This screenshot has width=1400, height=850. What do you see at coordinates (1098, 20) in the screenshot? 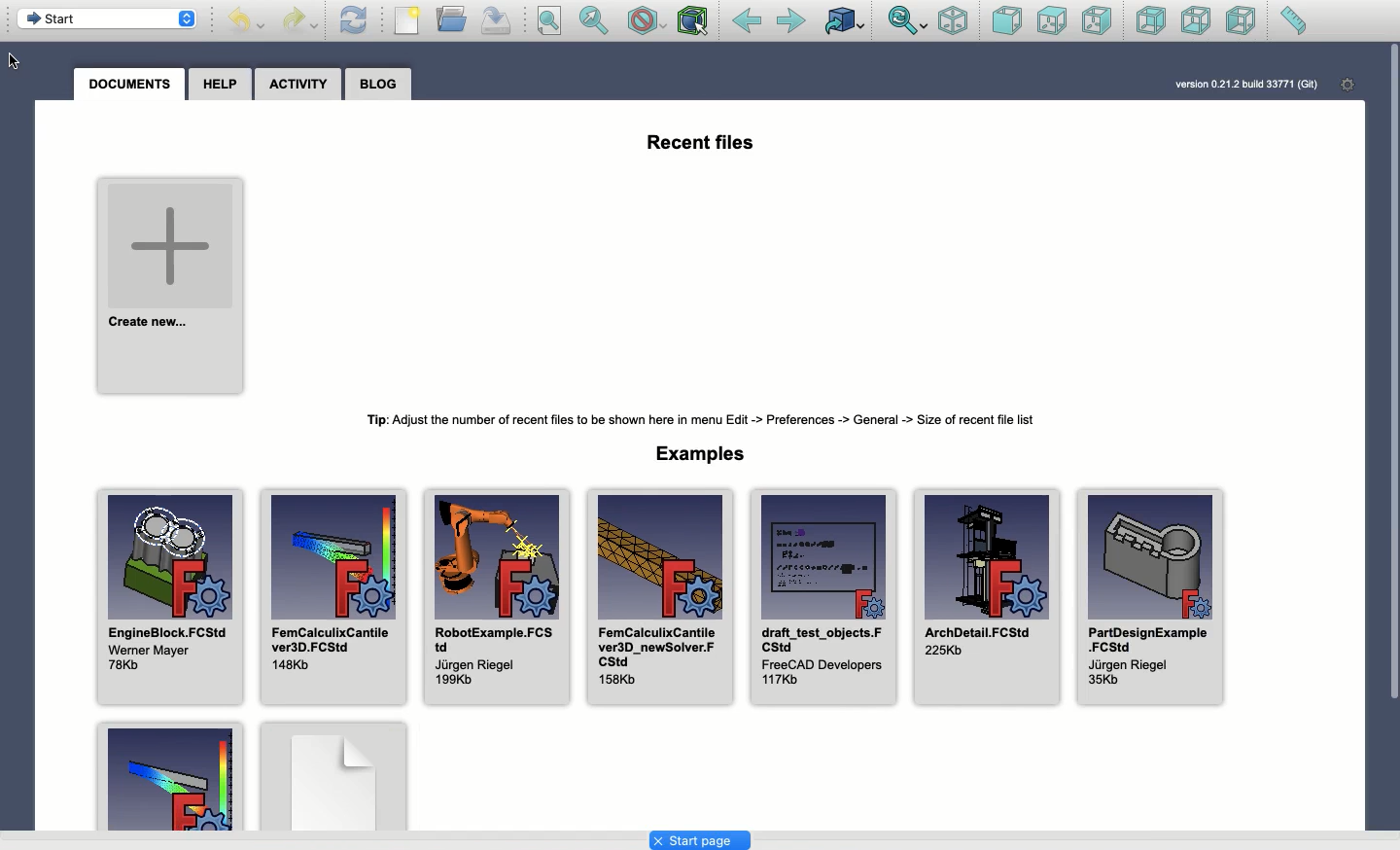
I see `Right` at bounding box center [1098, 20].